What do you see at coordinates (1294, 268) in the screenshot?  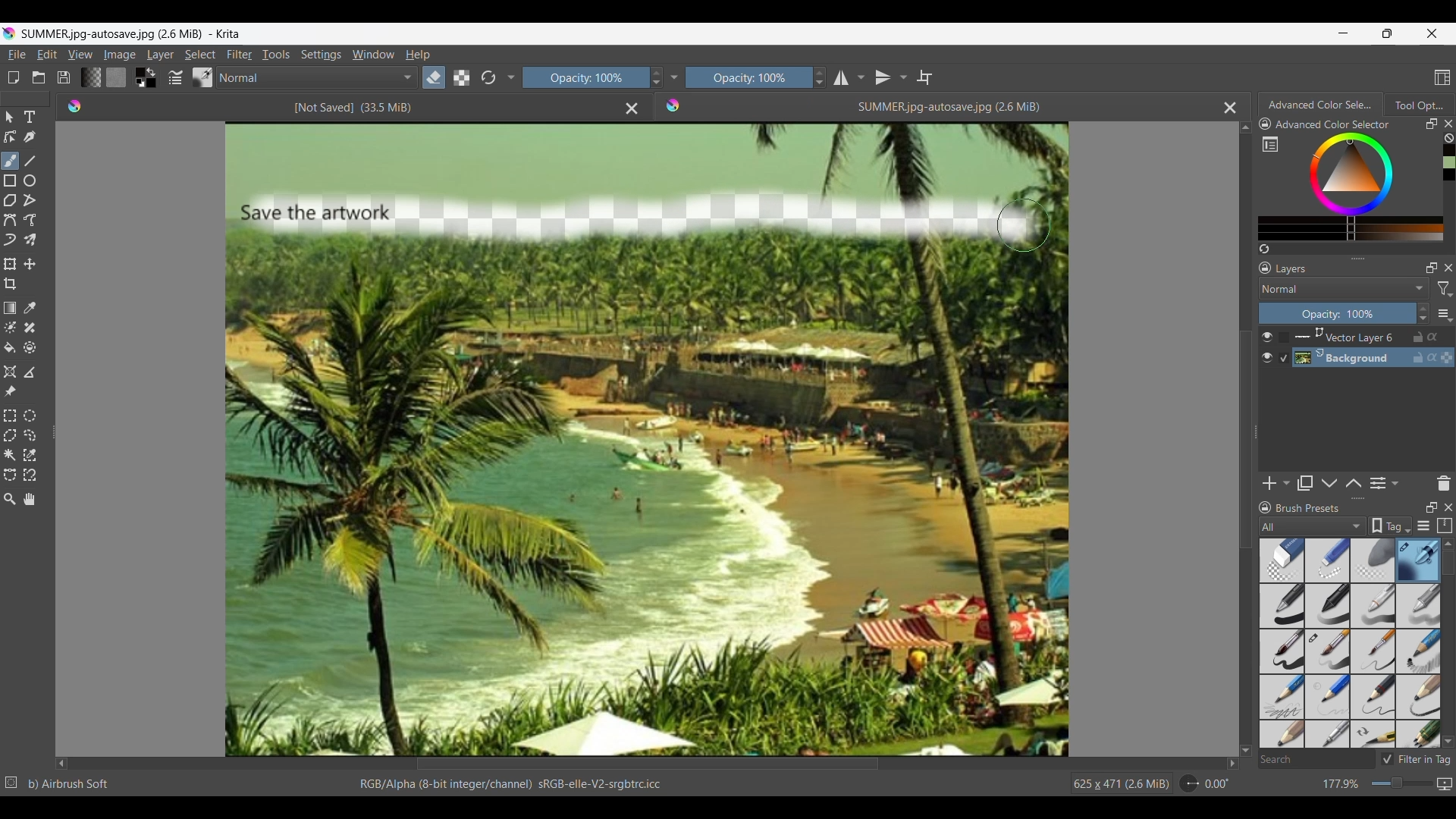 I see `Layers` at bounding box center [1294, 268].